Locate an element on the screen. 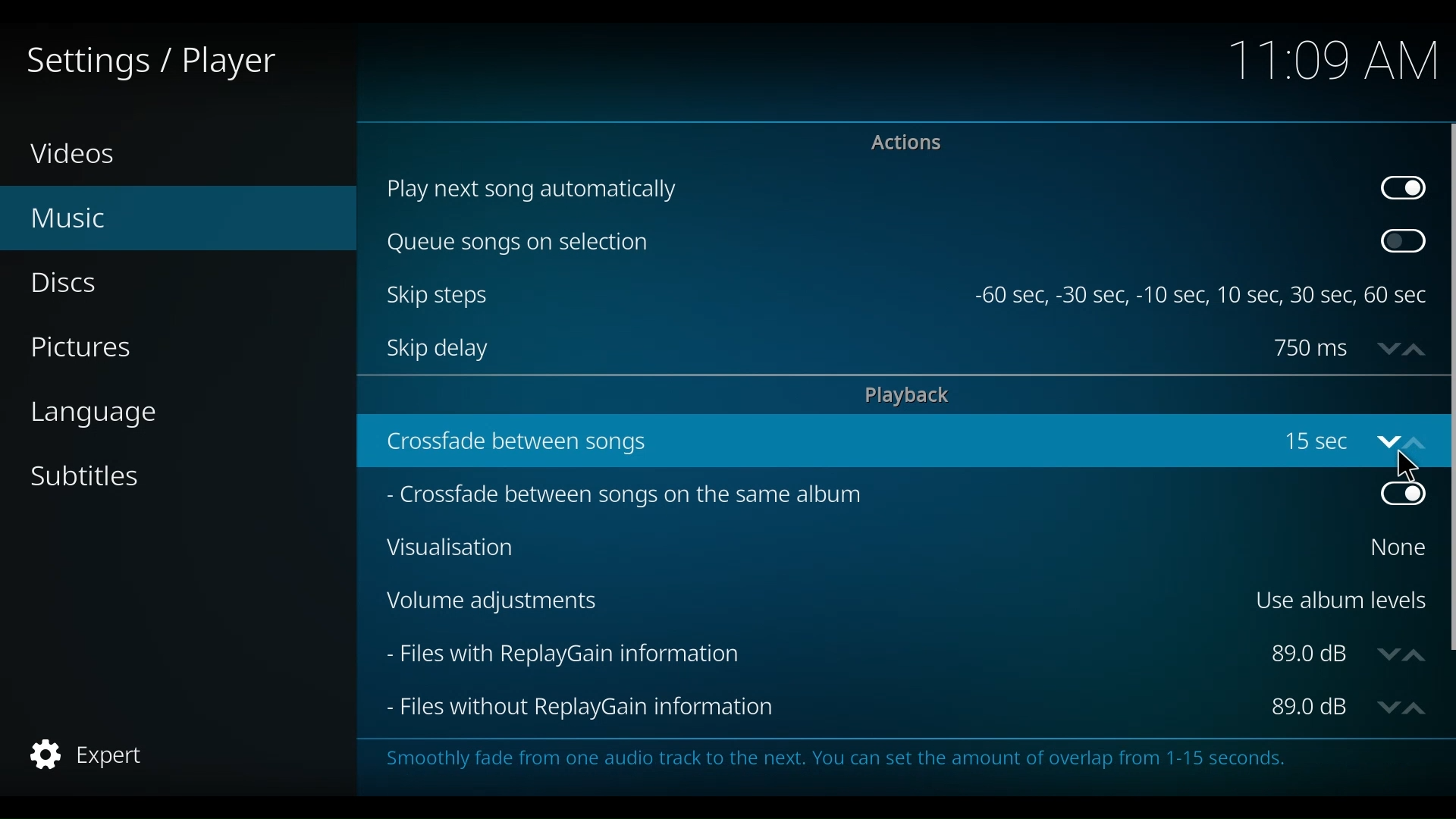 The width and height of the screenshot is (1456, 819). Crossfade between songs on the same album is located at coordinates (849, 492).